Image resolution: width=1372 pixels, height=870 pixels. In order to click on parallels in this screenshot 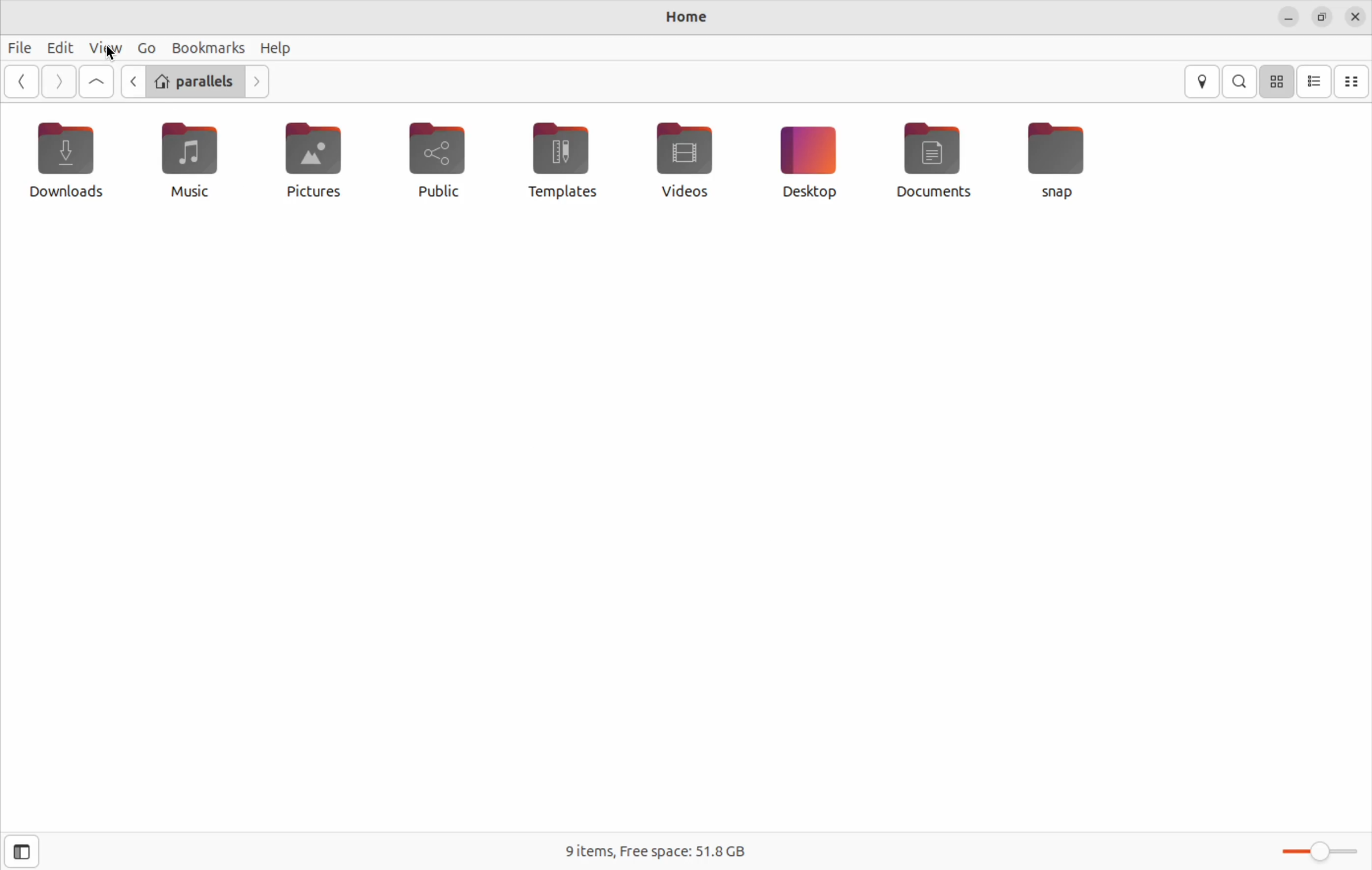, I will do `click(197, 82)`.